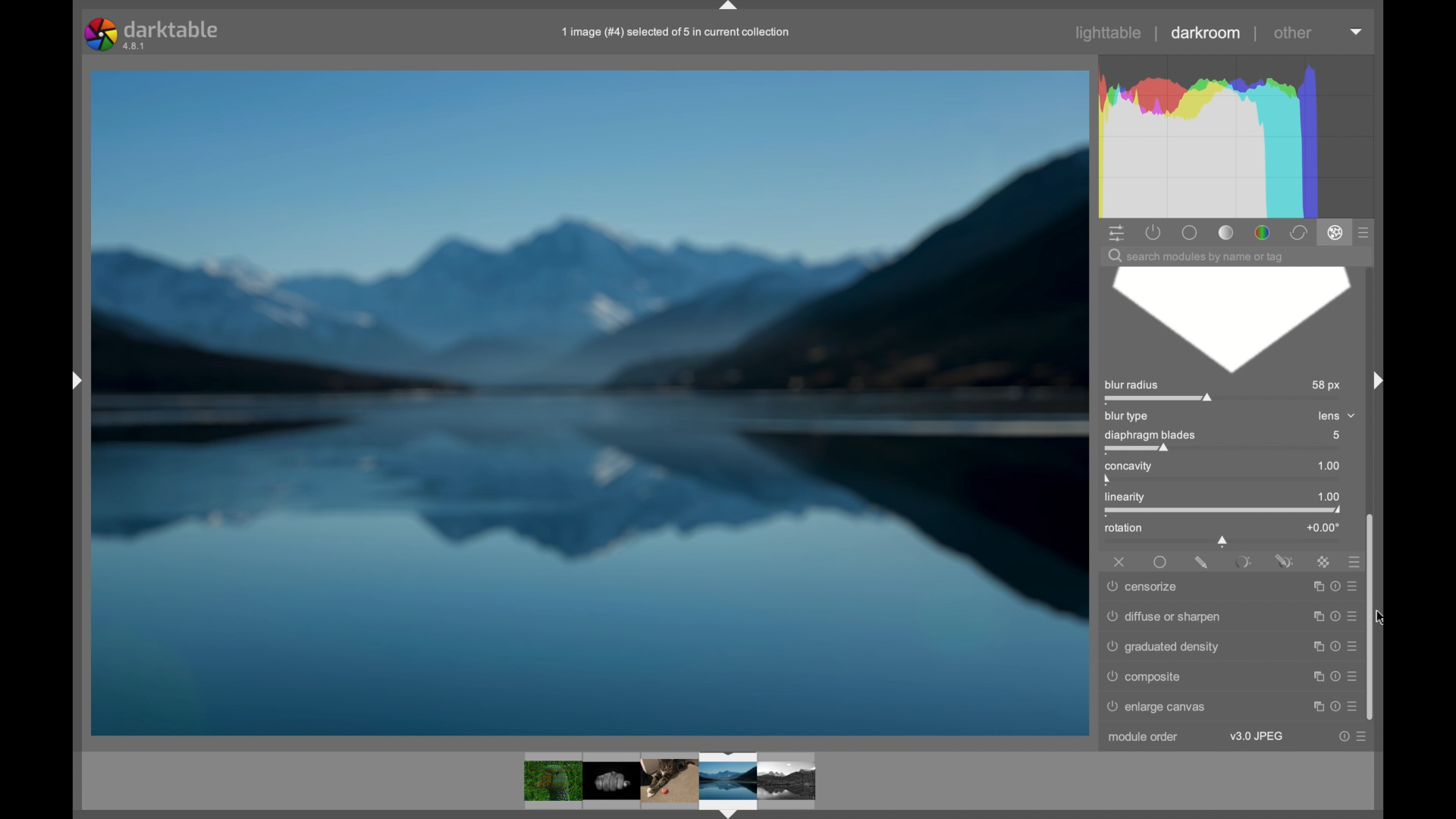 This screenshot has width=1456, height=819. Describe the element at coordinates (1142, 737) in the screenshot. I see `module order` at that location.